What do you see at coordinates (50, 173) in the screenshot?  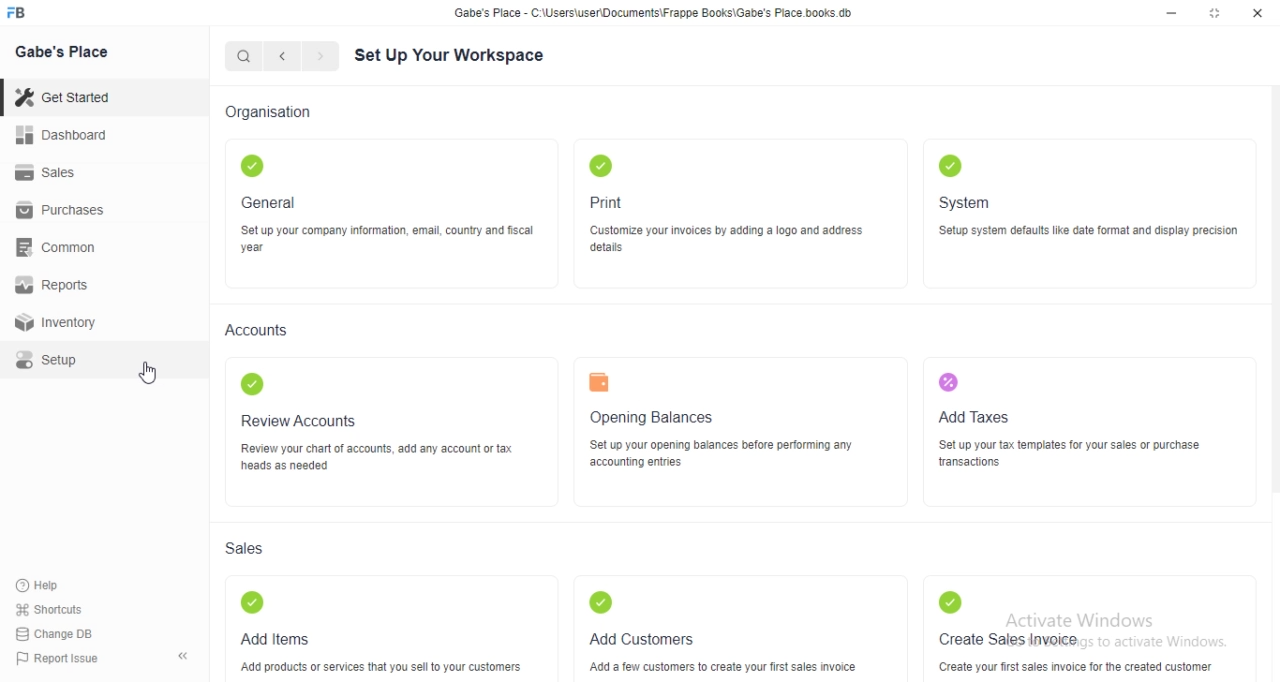 I see `Sales` at bounding box center [50, 173].